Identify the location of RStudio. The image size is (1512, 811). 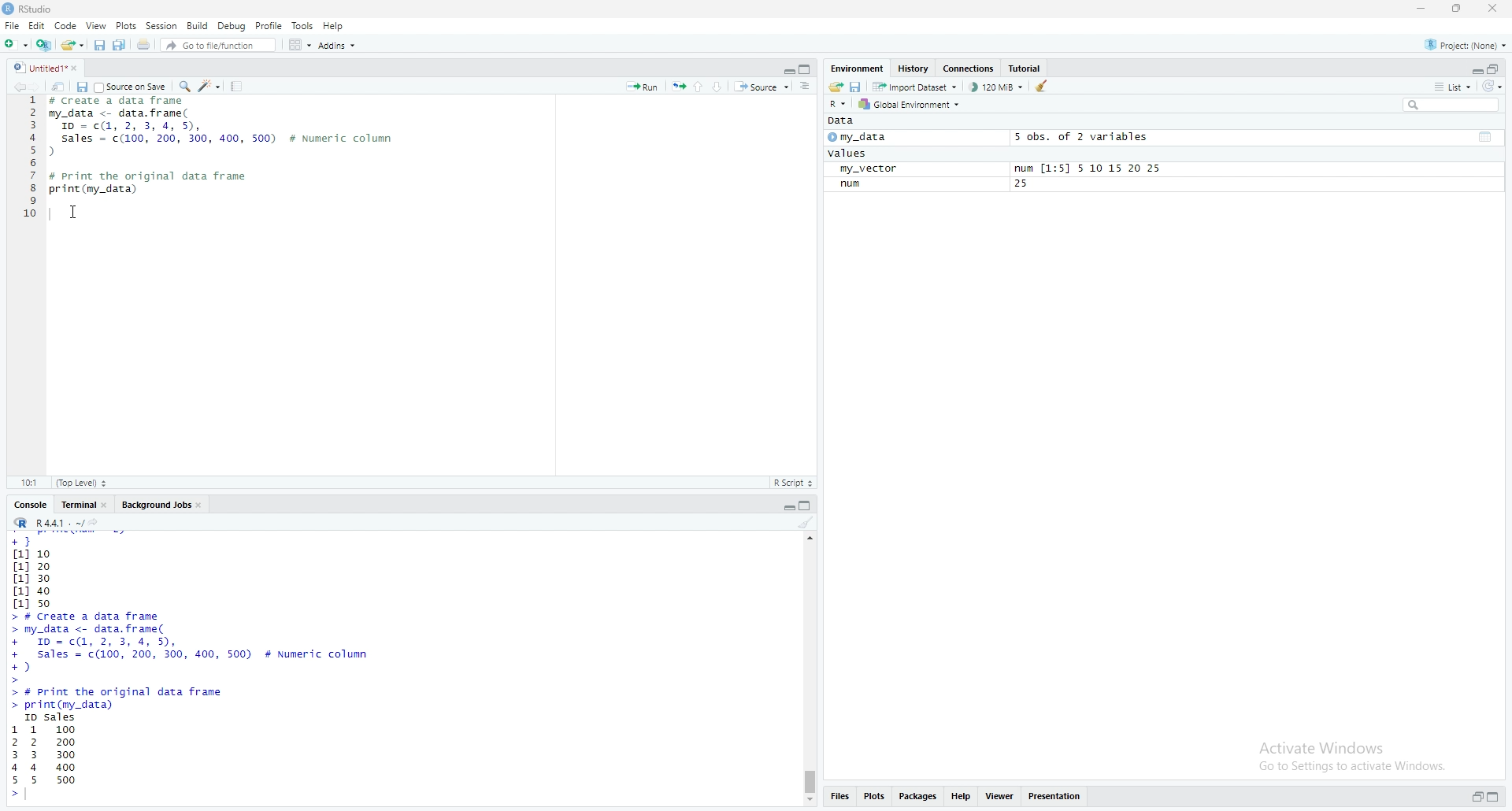
(69, 9).